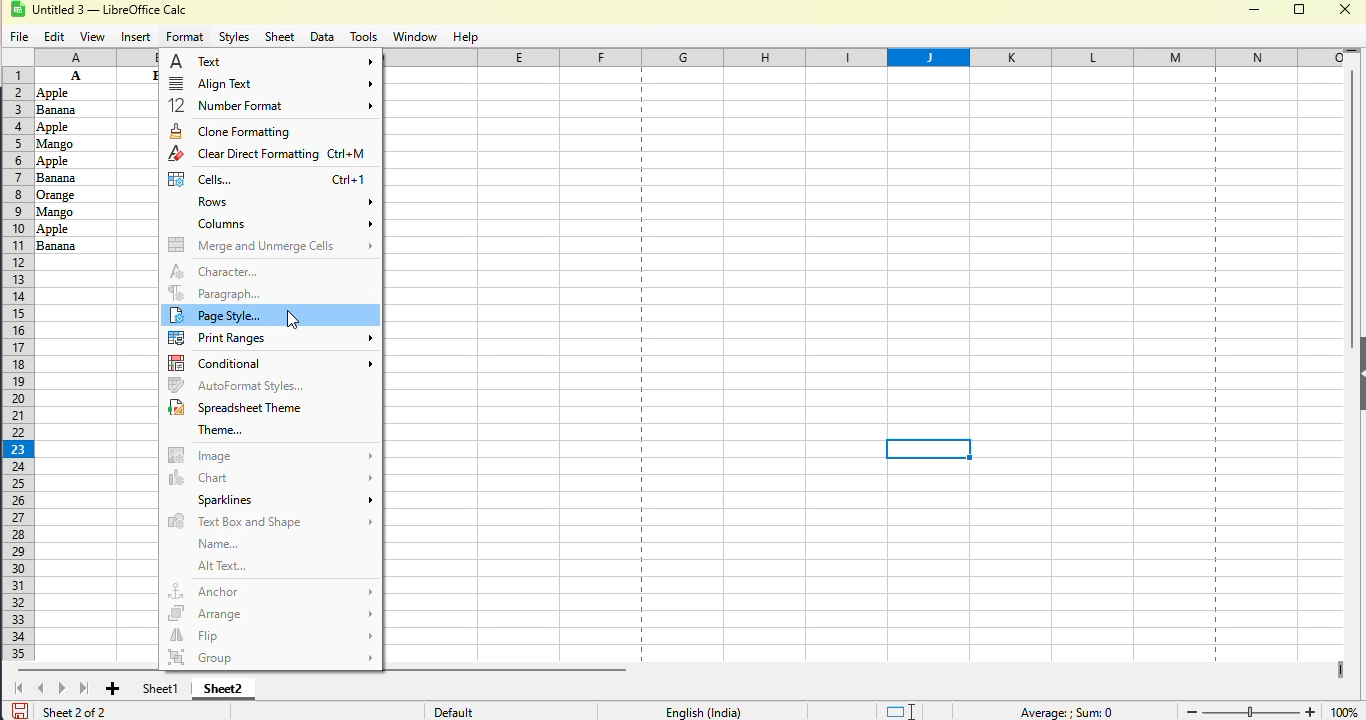 This screenshot has width=1366, height=720. What do you see at coordinates (216, 293) in the screenshot?
I see `paragraph` at bounding box center [216, 293].